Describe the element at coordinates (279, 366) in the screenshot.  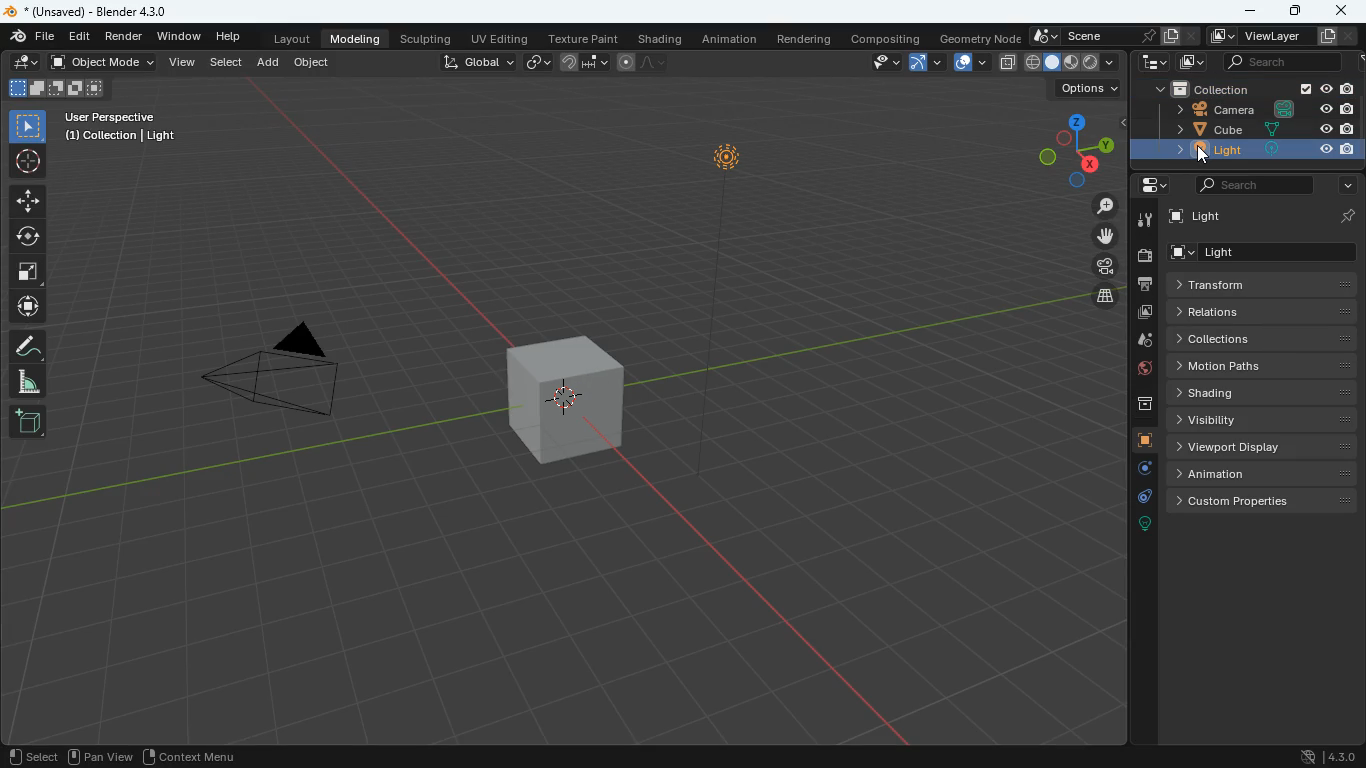
I see `camera` at that location.